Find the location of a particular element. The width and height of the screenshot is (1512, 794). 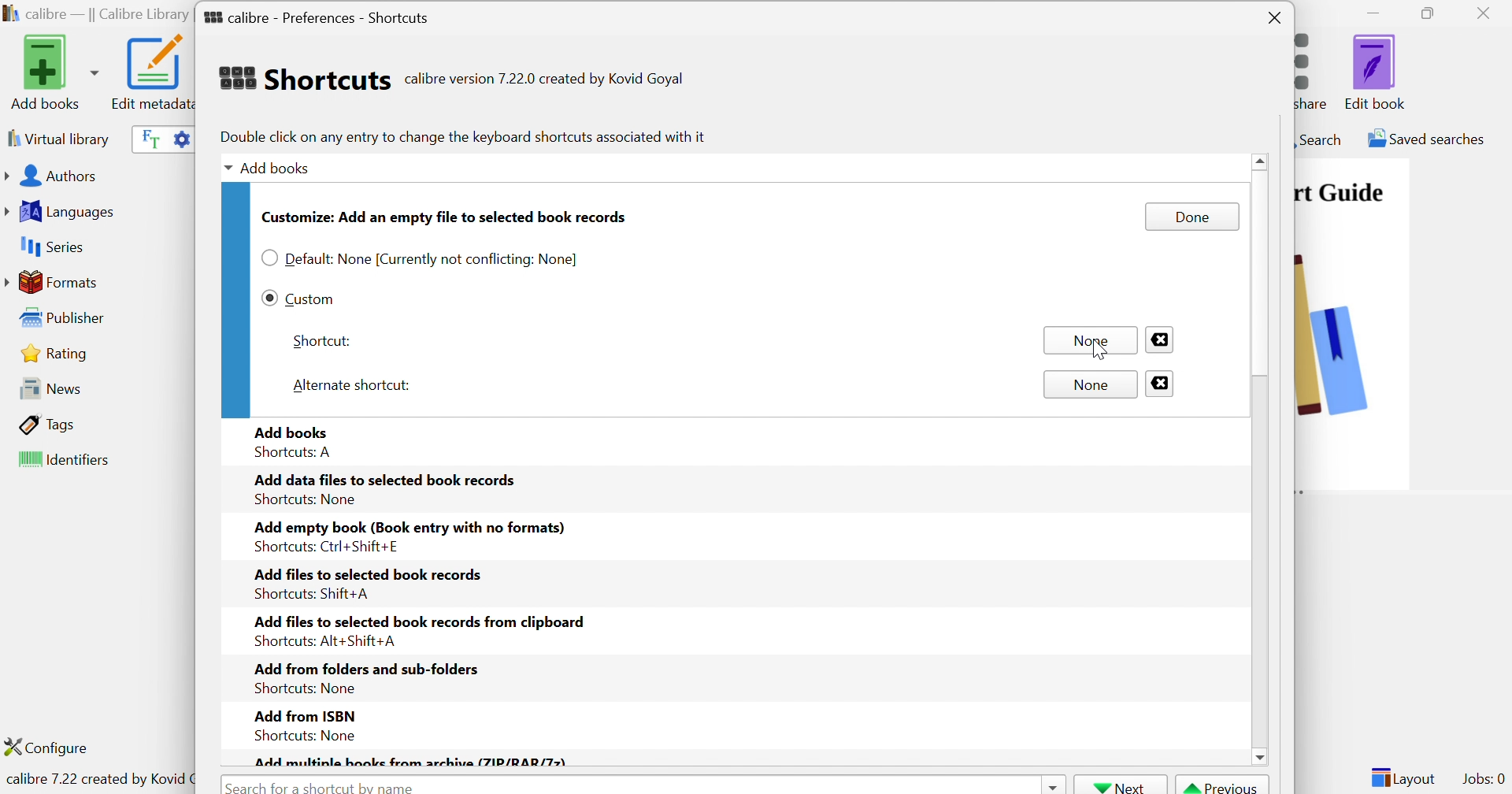

News is located at coordinates (46, 388).